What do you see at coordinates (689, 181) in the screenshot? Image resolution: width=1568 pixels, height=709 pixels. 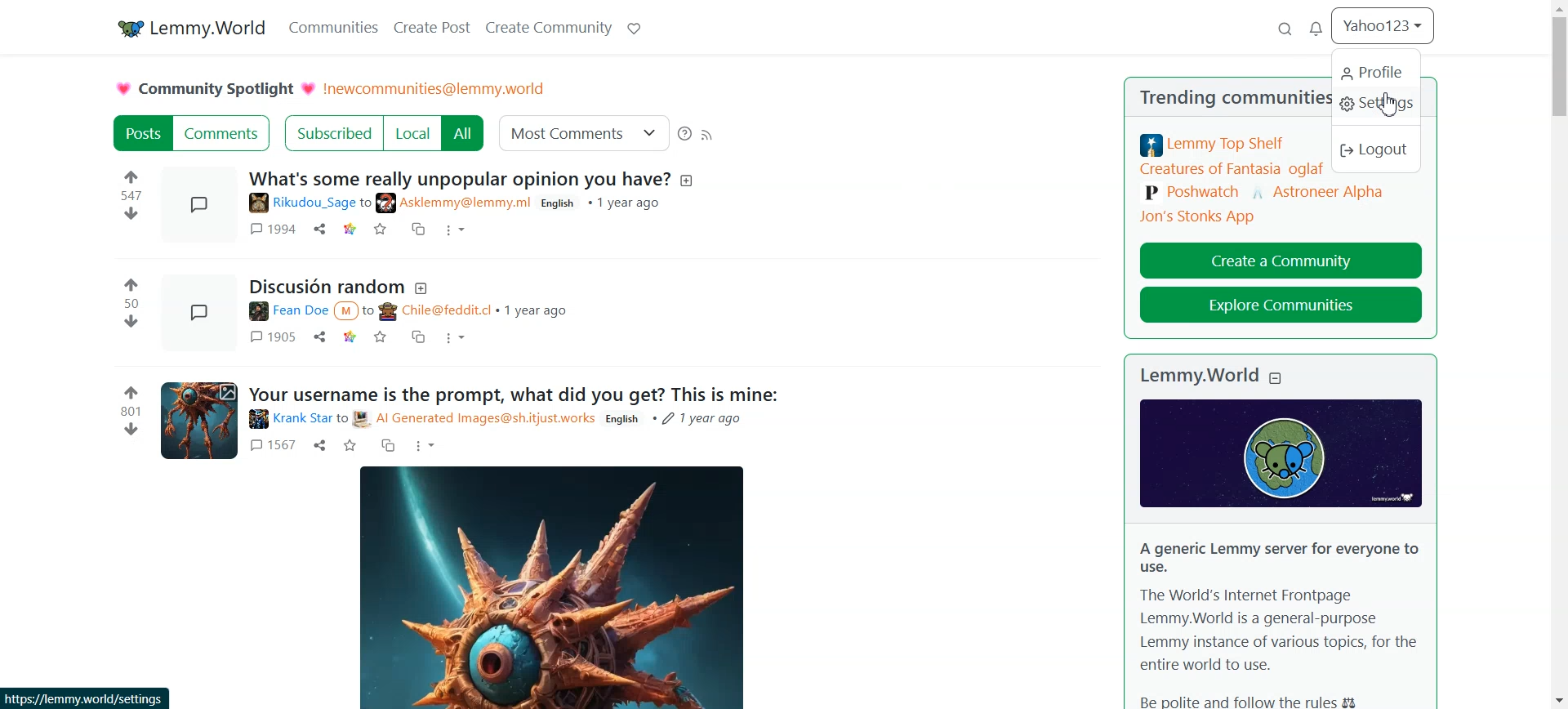 I see `description` at bounding box center [689, 181].